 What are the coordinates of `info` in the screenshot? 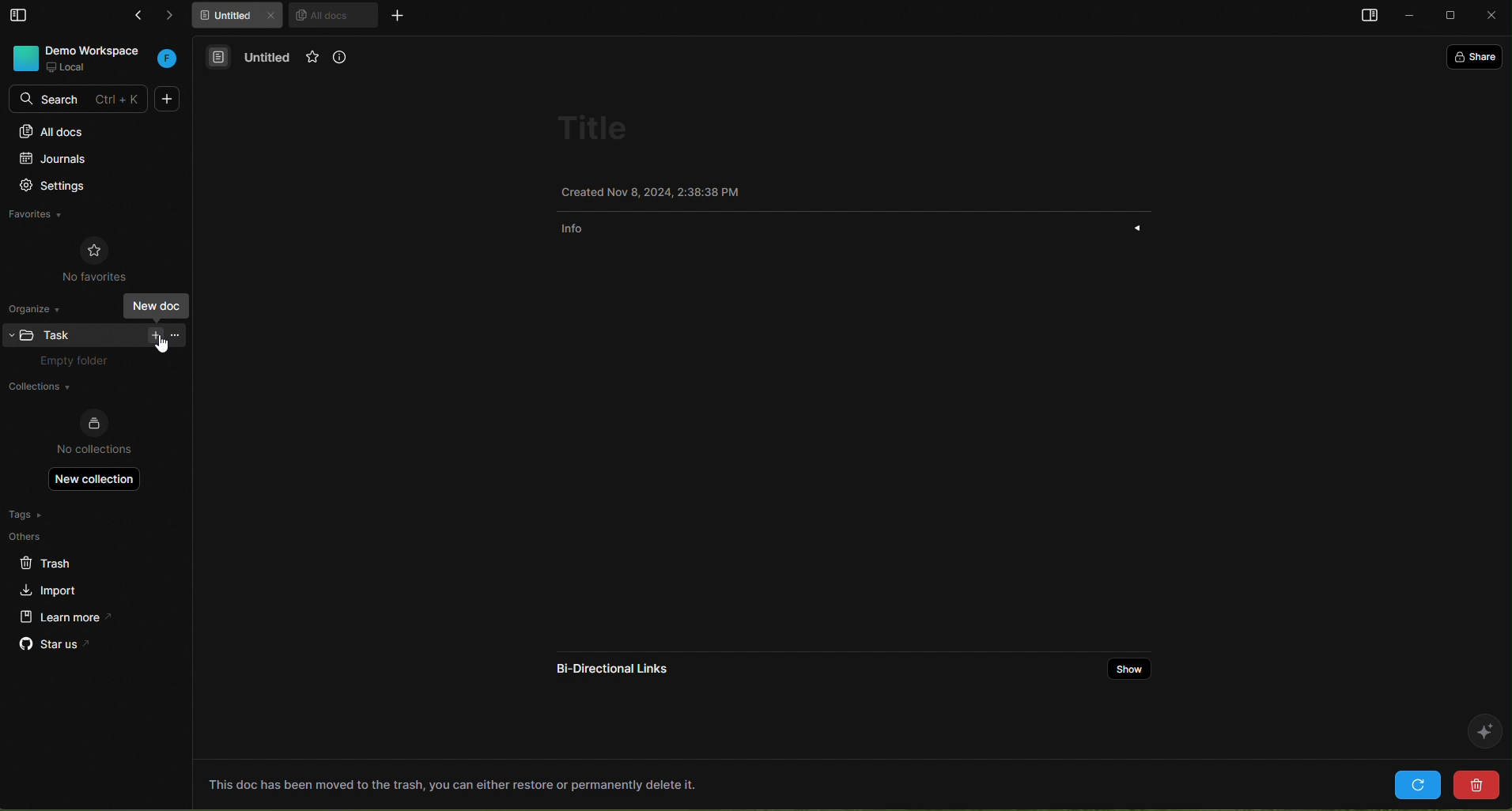 It's located at (351, 59).